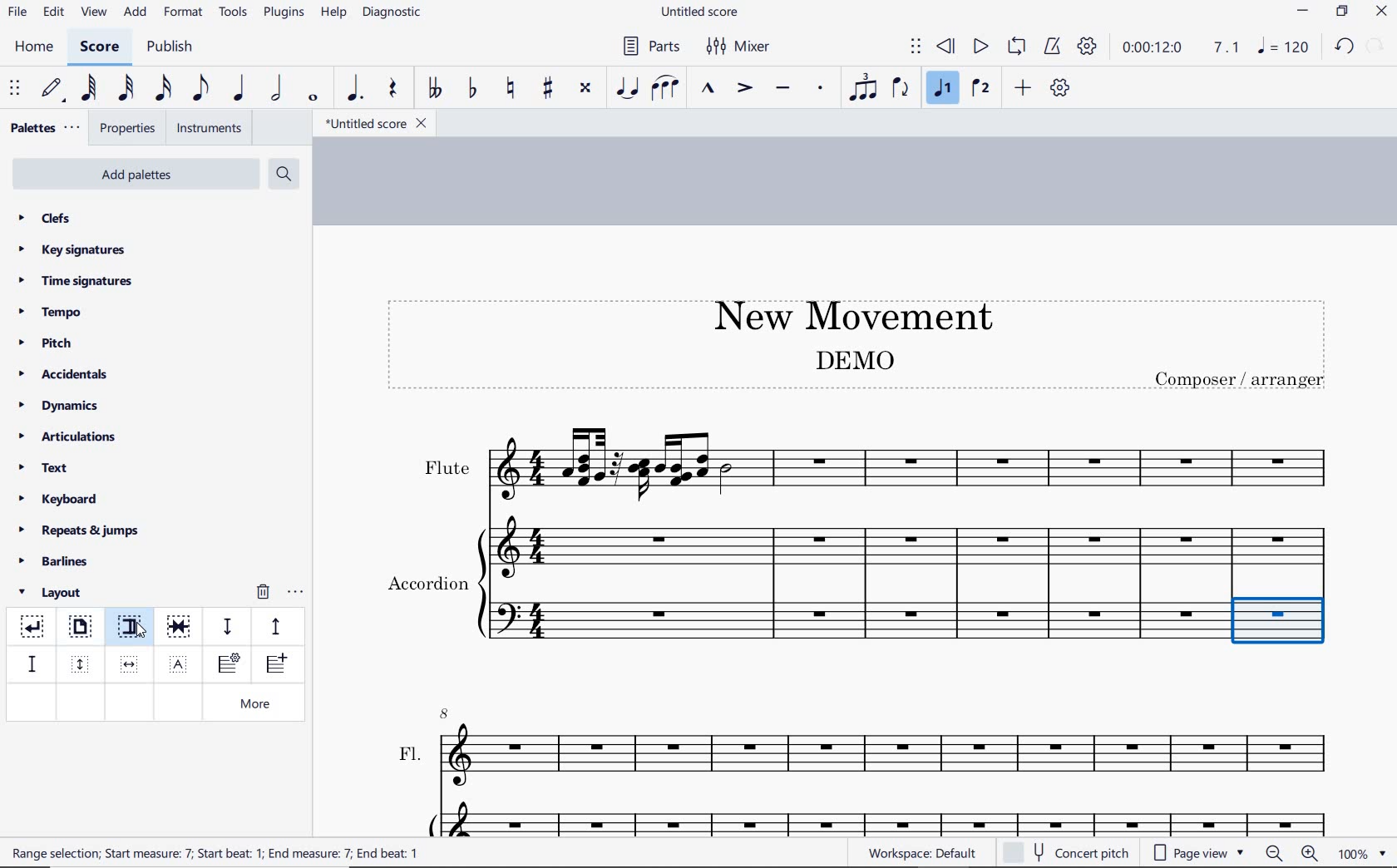 Image resolution: width=1397 pixels, height=868 pixels. I want to click on palettes, so click(43, 129).